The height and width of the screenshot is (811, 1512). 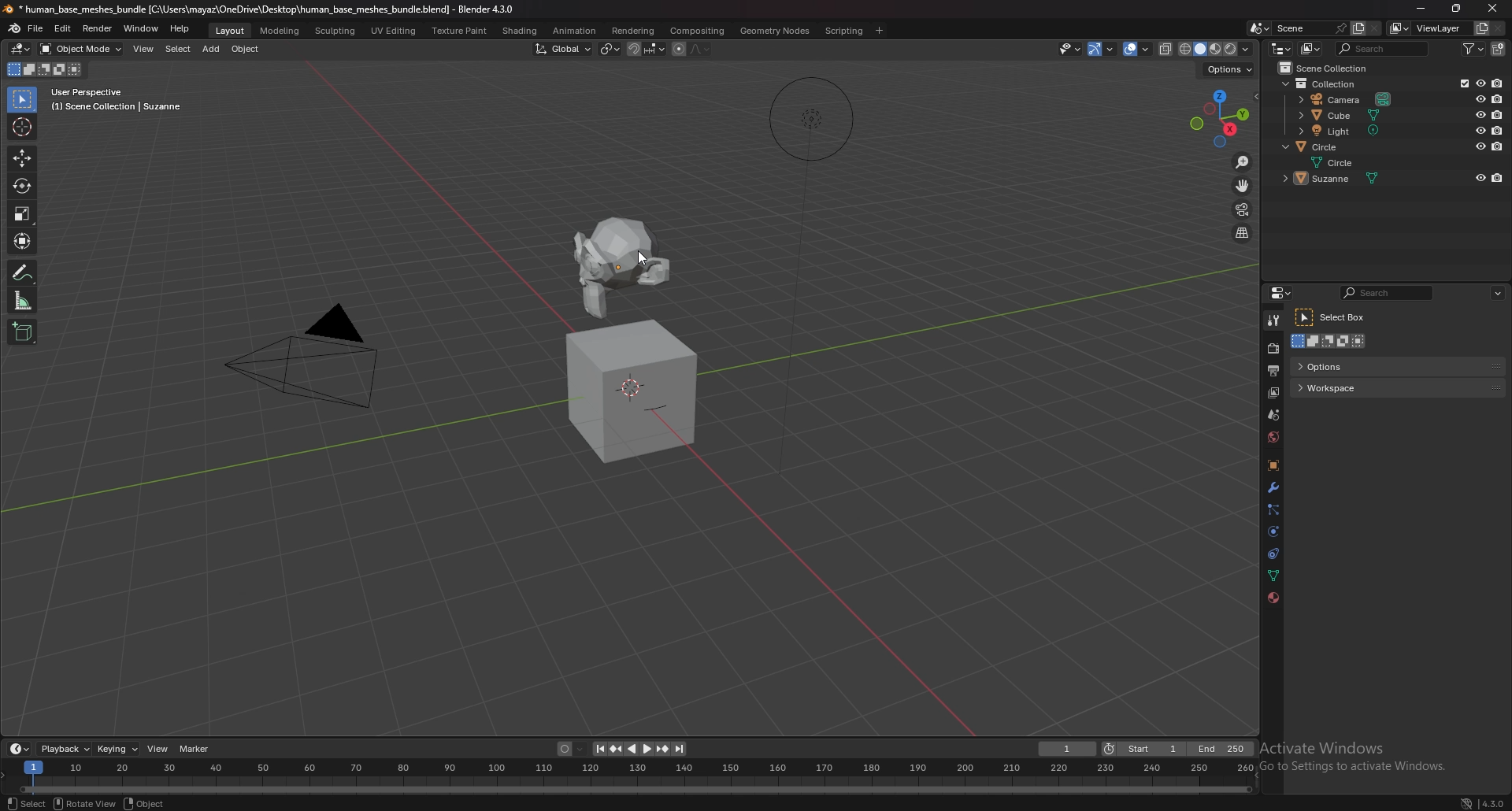 What do you see at coordinates (1481, 27) in the screenshot?
I see `add view layer` at bounding box center [1481, 27].